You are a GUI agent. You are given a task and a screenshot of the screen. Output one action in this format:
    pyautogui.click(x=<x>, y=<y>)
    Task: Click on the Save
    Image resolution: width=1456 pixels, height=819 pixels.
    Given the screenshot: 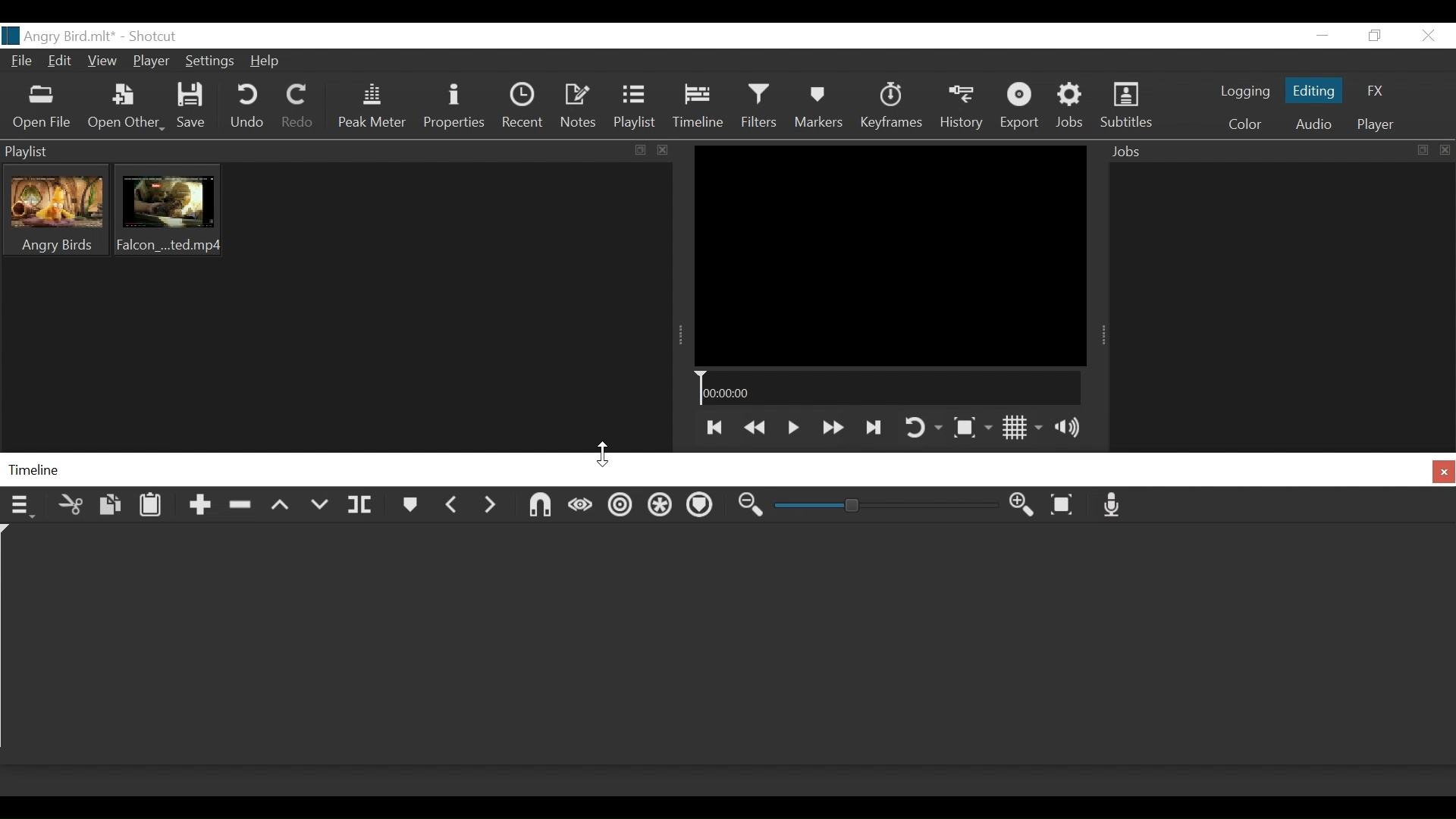 What is the action you would take?
    pyautogui.click(x=195, y=106)
    